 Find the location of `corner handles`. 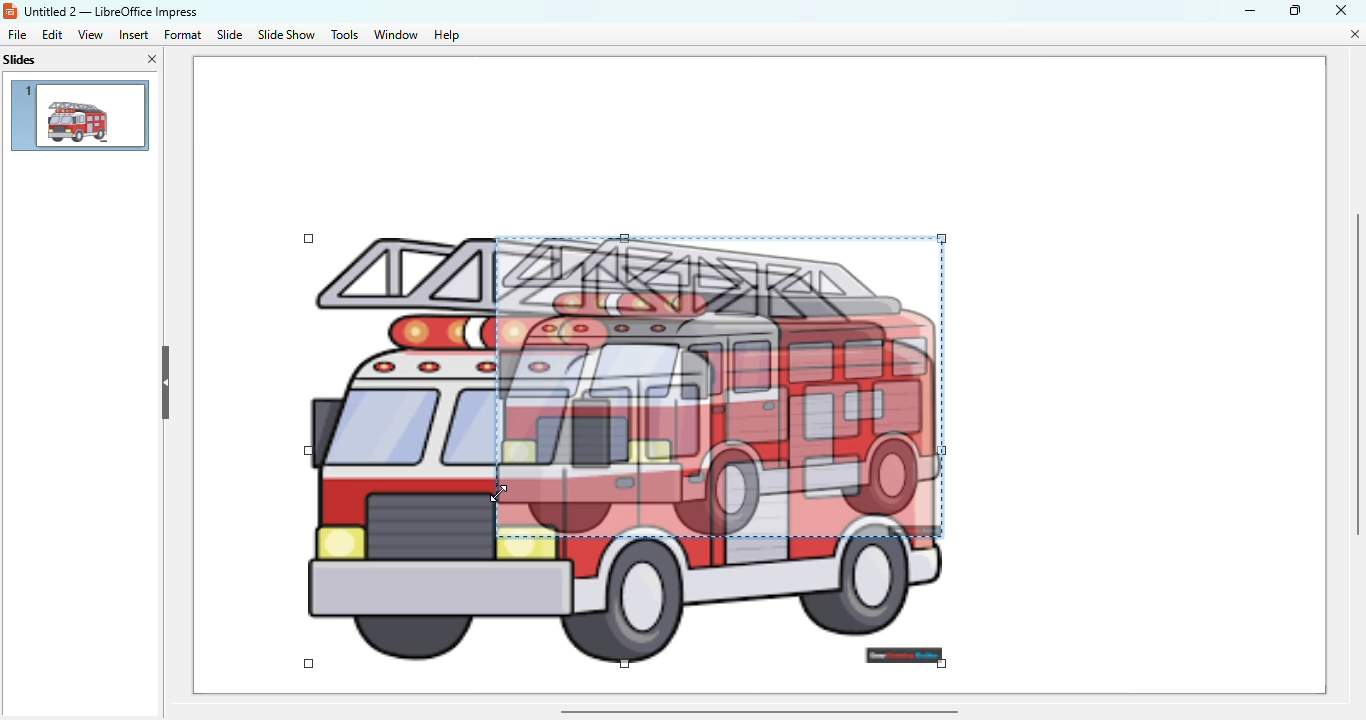

corner handles is located at coordinates (310, 240).